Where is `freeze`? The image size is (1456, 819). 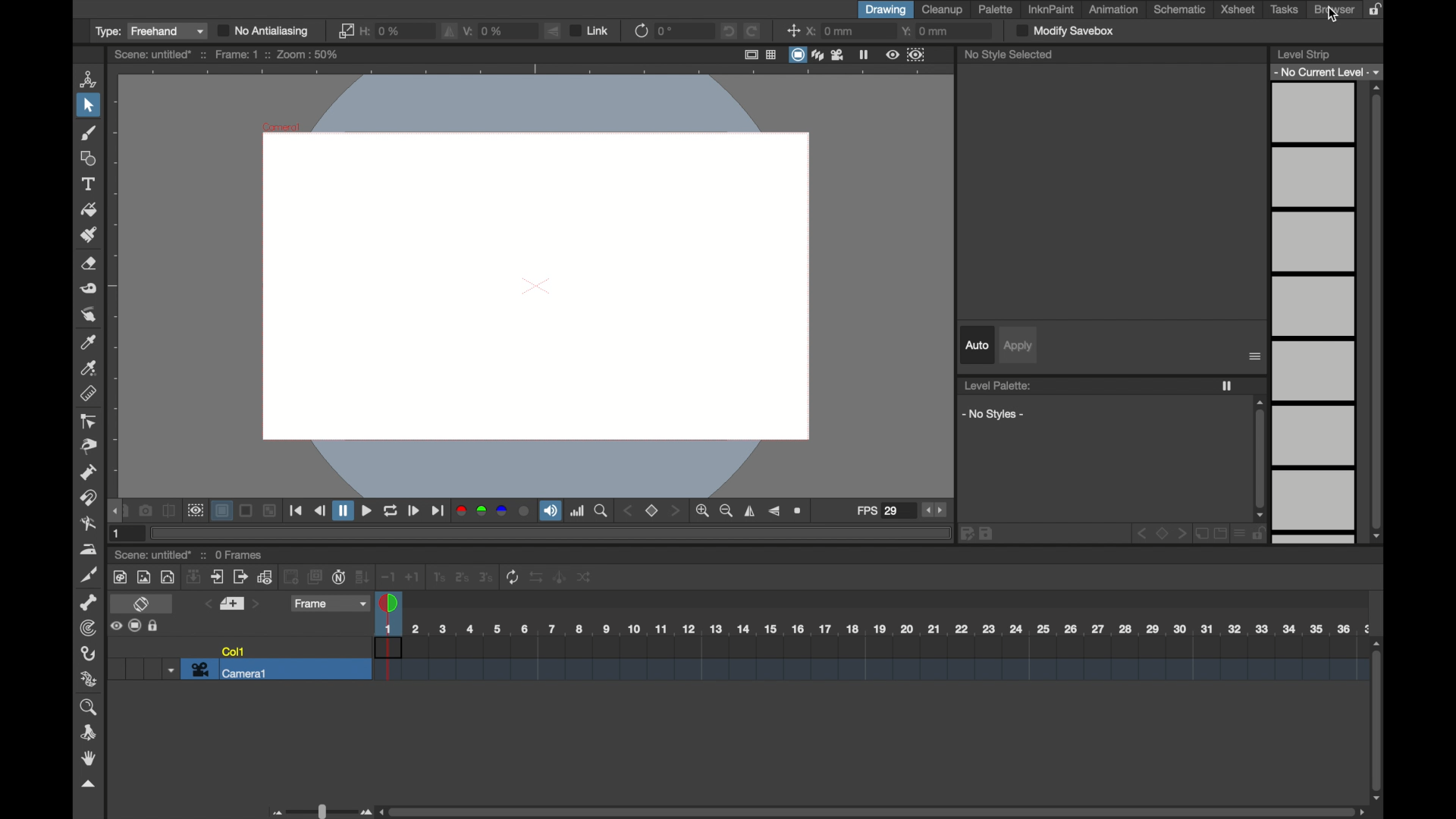 freeze is located at coordinates (1227, 386).